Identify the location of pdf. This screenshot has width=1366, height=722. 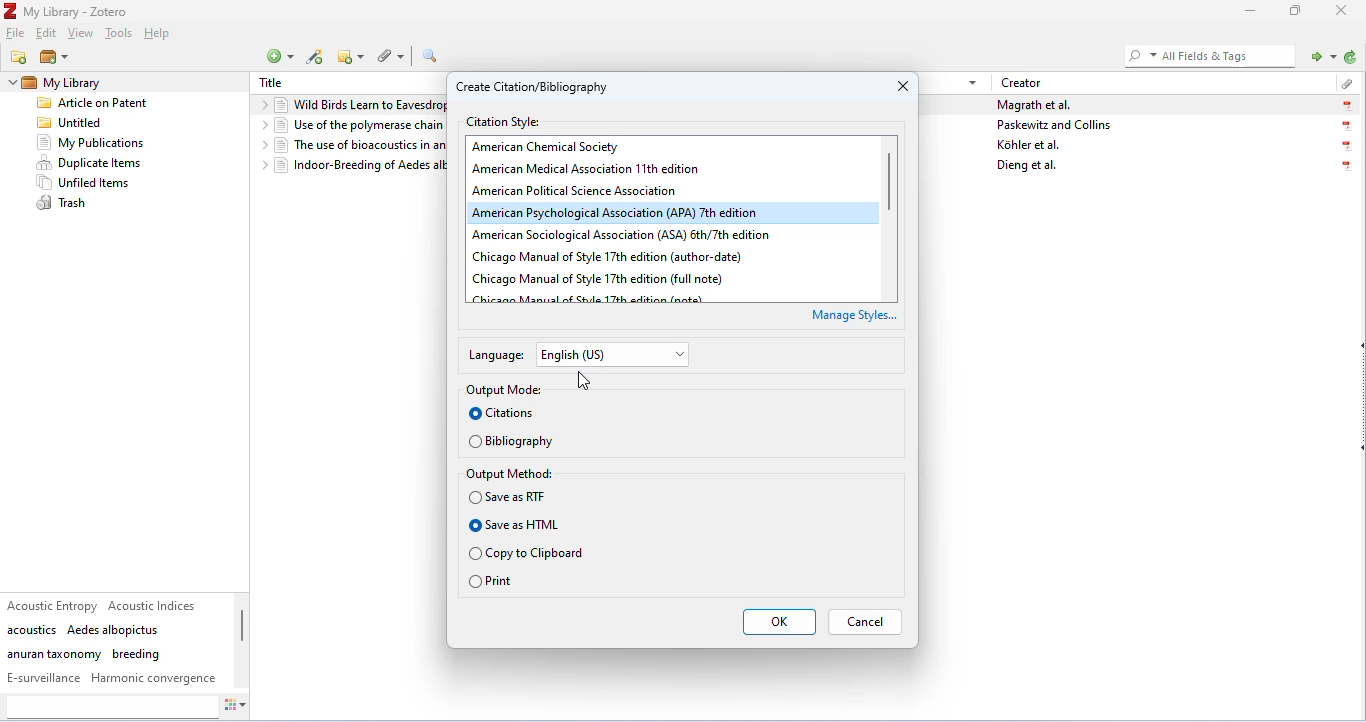
(1343, 167).